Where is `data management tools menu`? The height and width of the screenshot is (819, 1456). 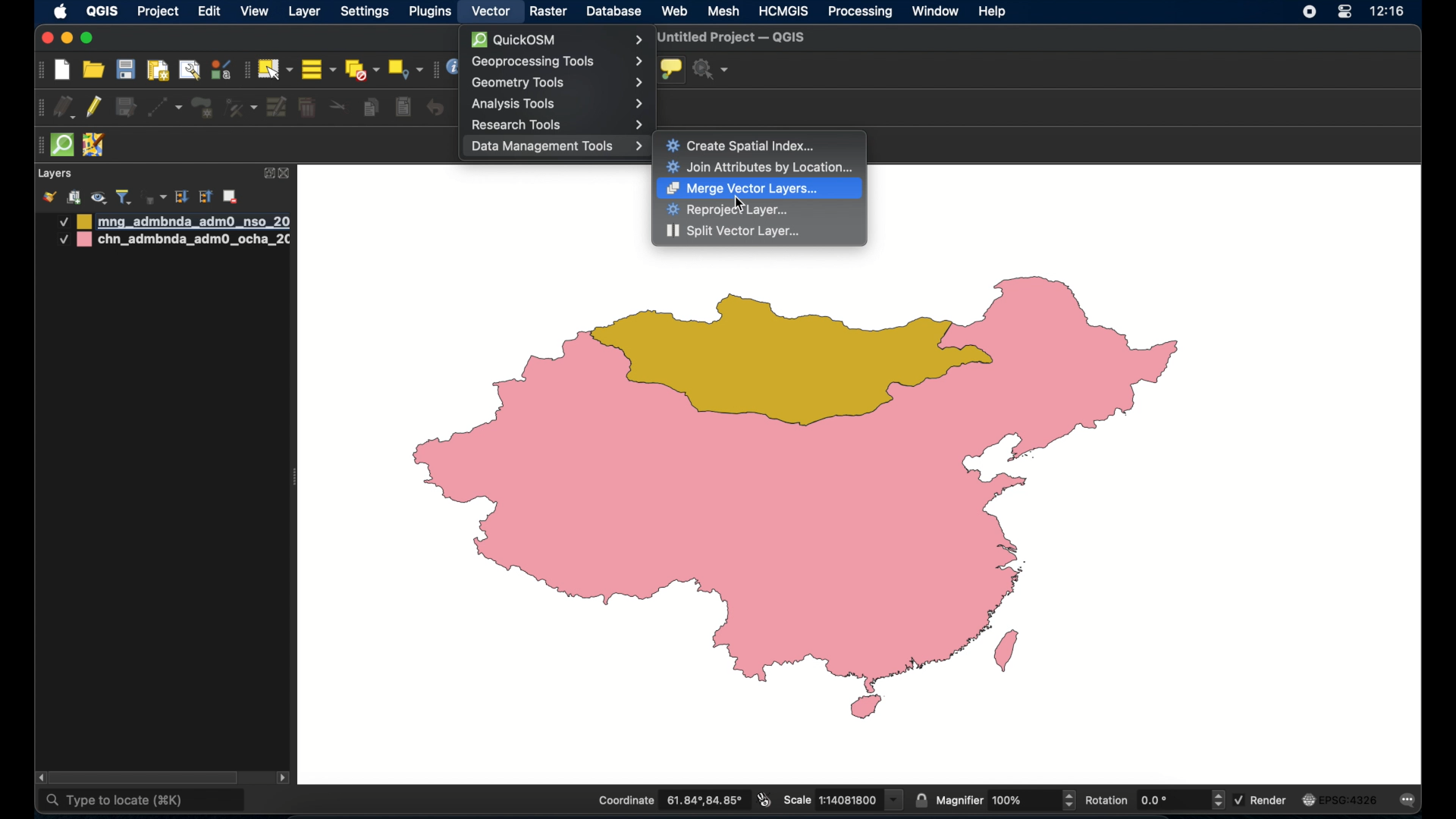
data management tools menu is located at coordinates (557, 148).